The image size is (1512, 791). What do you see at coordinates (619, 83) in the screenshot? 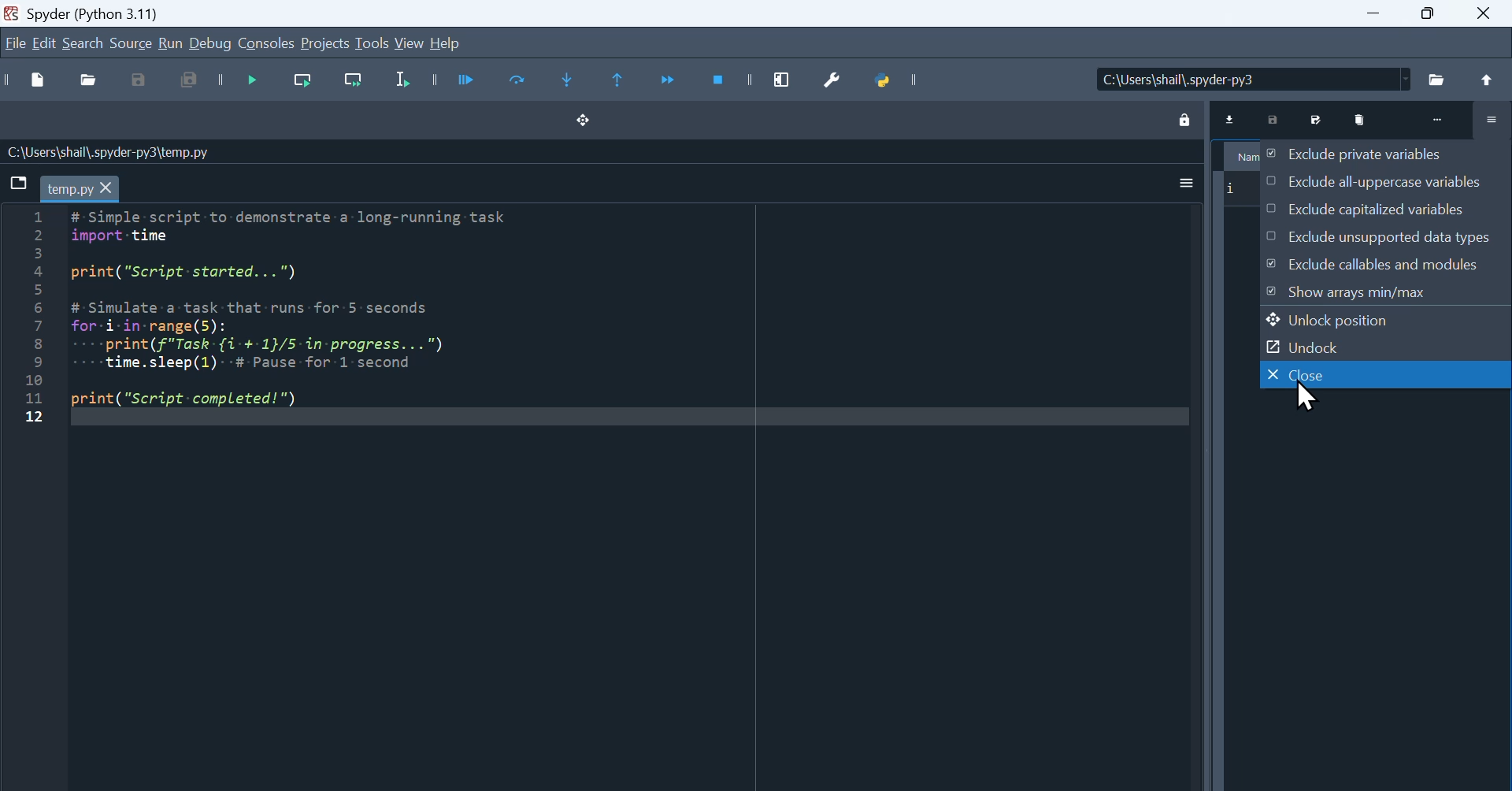
I see `Execute until same function returns` at bounding box center [619, 83].